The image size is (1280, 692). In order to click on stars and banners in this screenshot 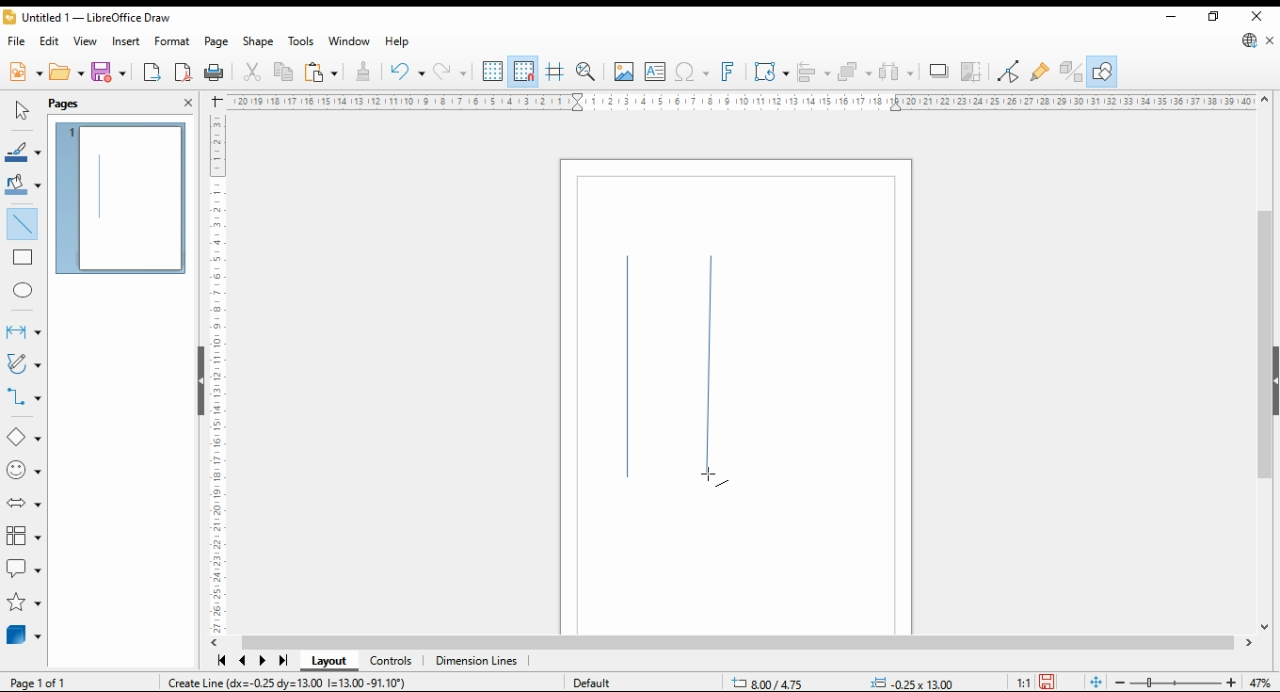, I will do `click(23, 604)`.